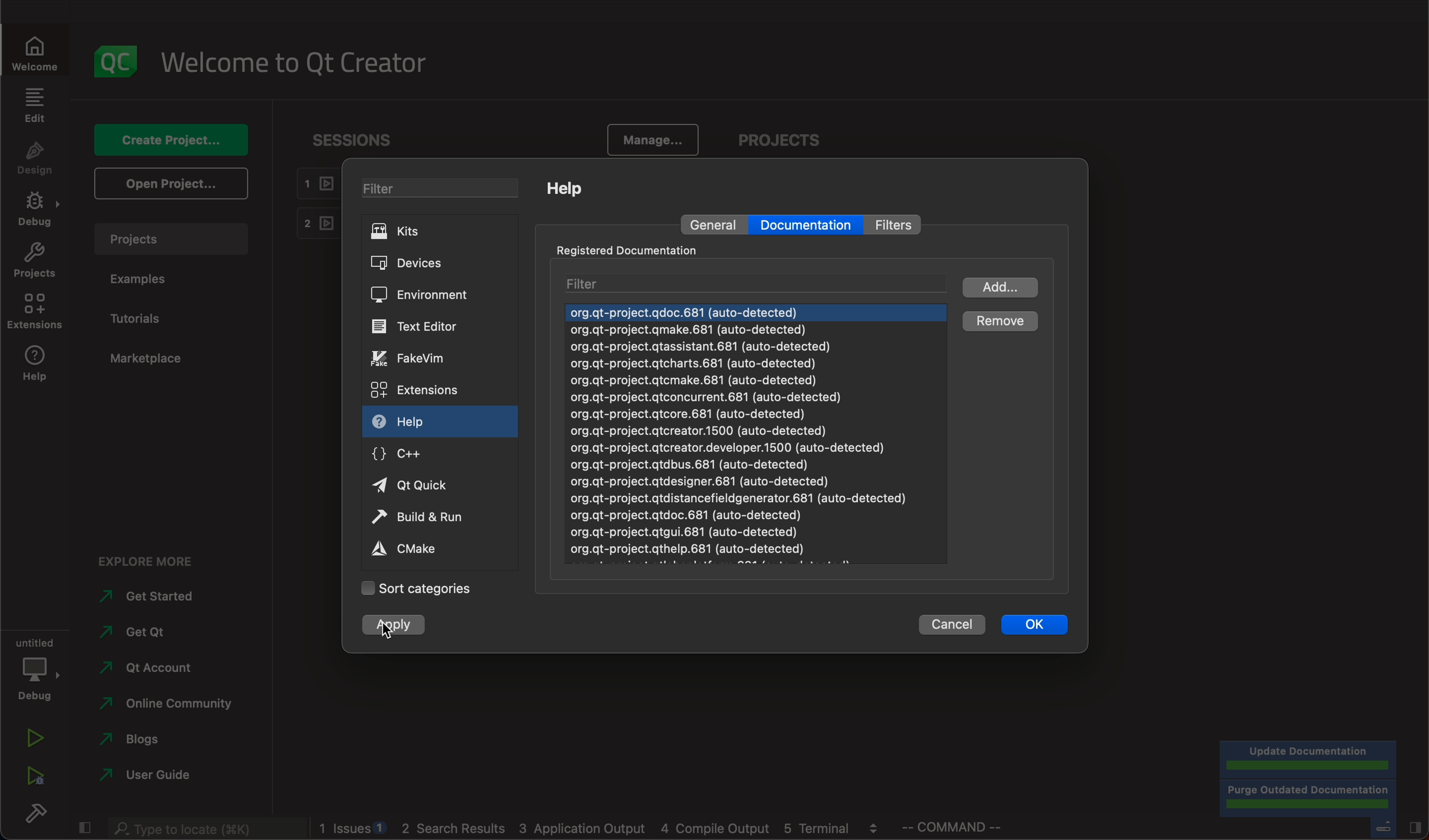  Describe the element at coordinates (35, 813) in the screenshot. I see `build` at that location.